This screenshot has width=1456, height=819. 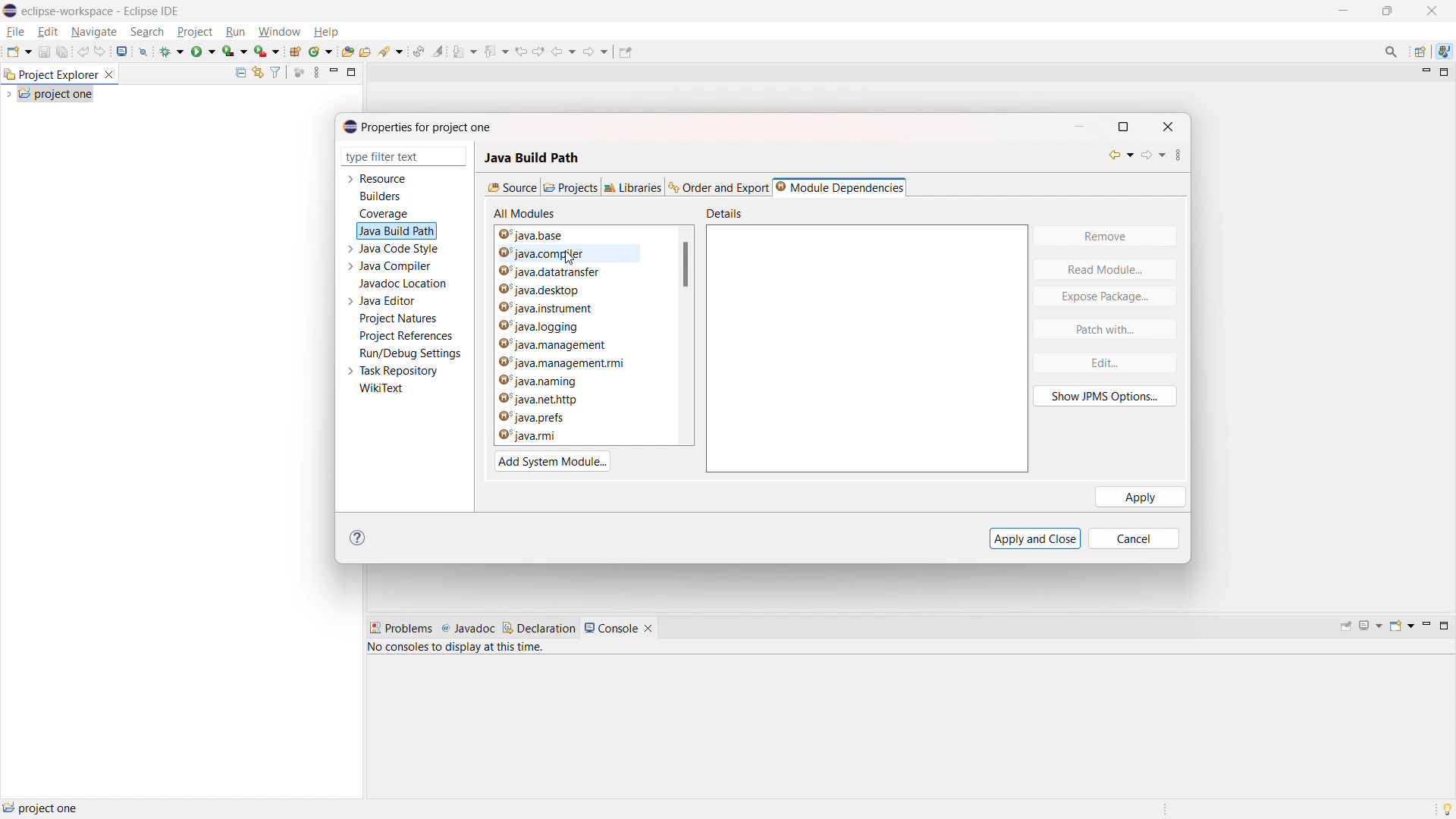 What do you see at coordinates (391, 52) in the screenshot?
I see `search` at bounding box center [391, 52].